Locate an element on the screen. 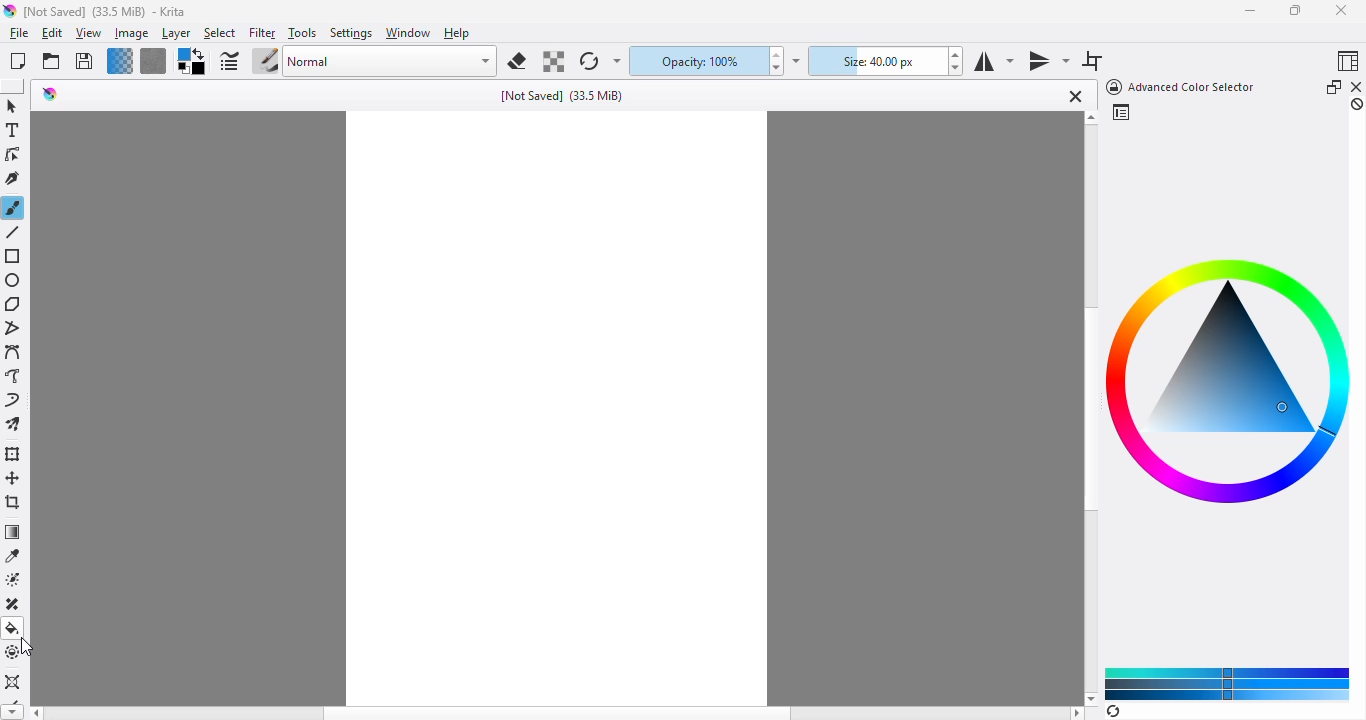  color models and components is located at coordinates (1228, 683).